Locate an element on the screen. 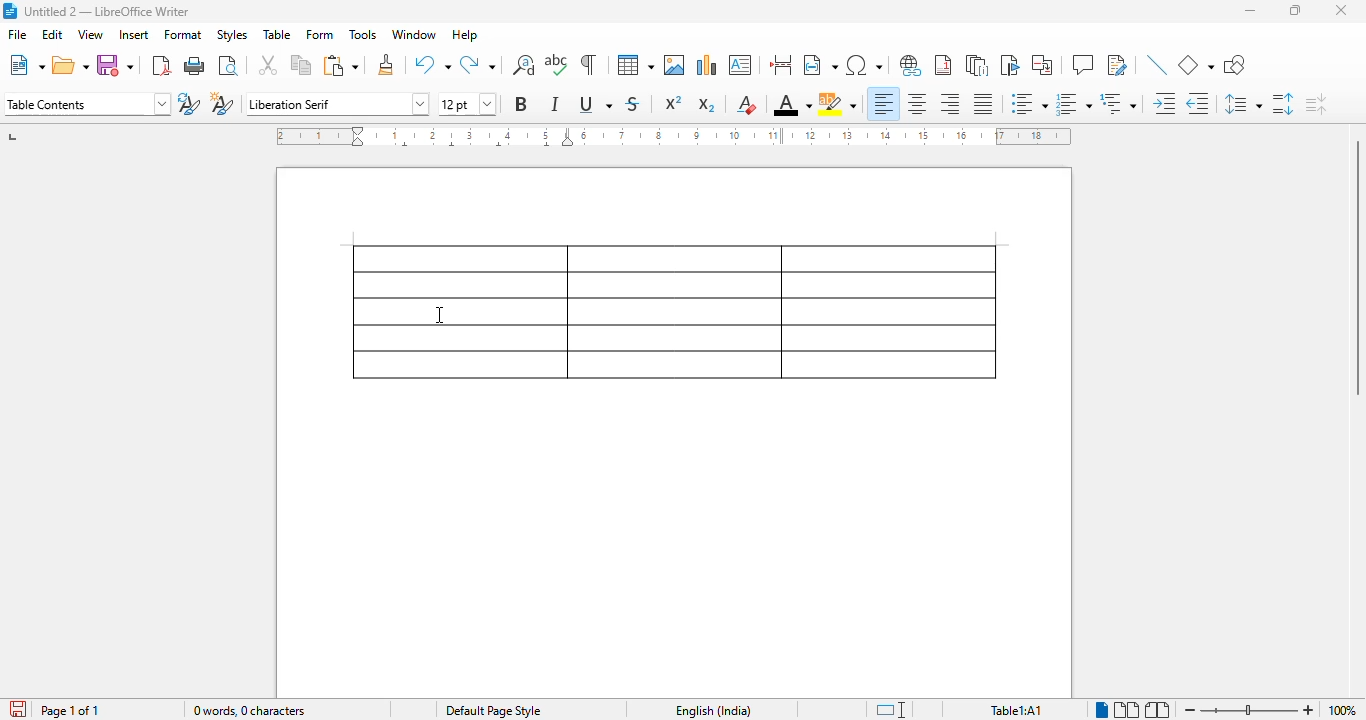 The width and height of the screenshot is (1366, 720). window is located at coordinates (416, 35).